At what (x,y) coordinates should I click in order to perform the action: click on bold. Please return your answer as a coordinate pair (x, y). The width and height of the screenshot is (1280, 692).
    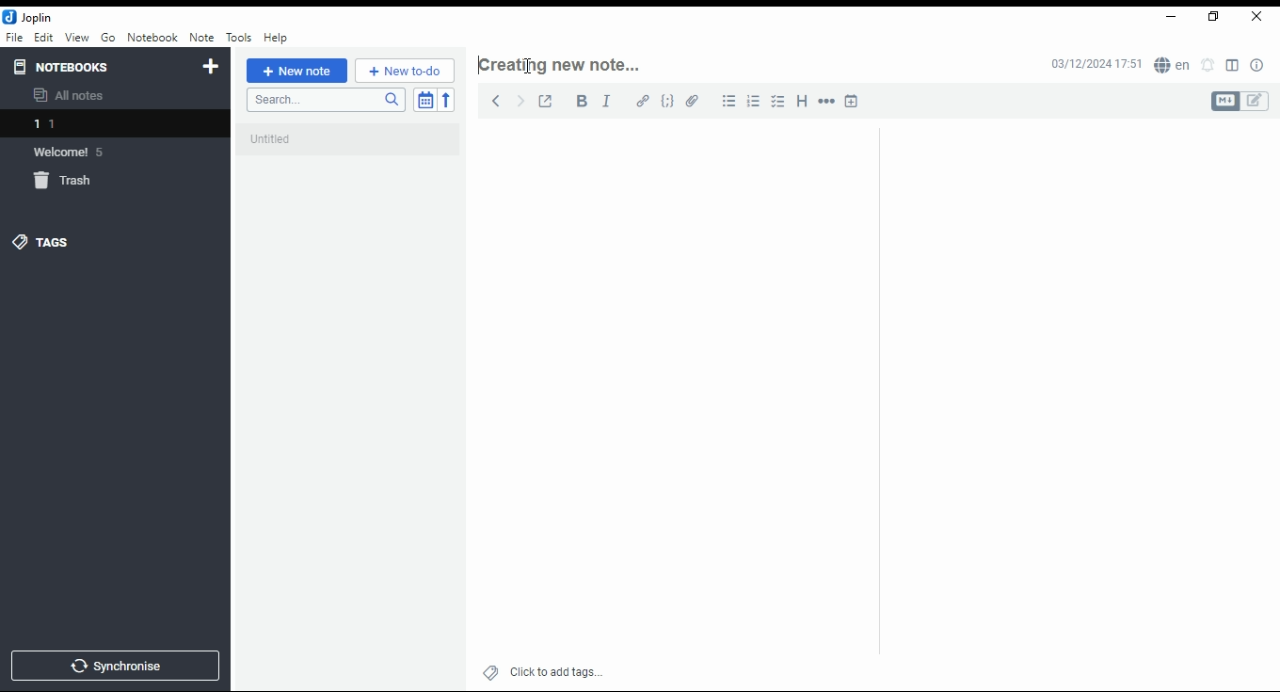
    Looking at the image, I should click on (578, 101).